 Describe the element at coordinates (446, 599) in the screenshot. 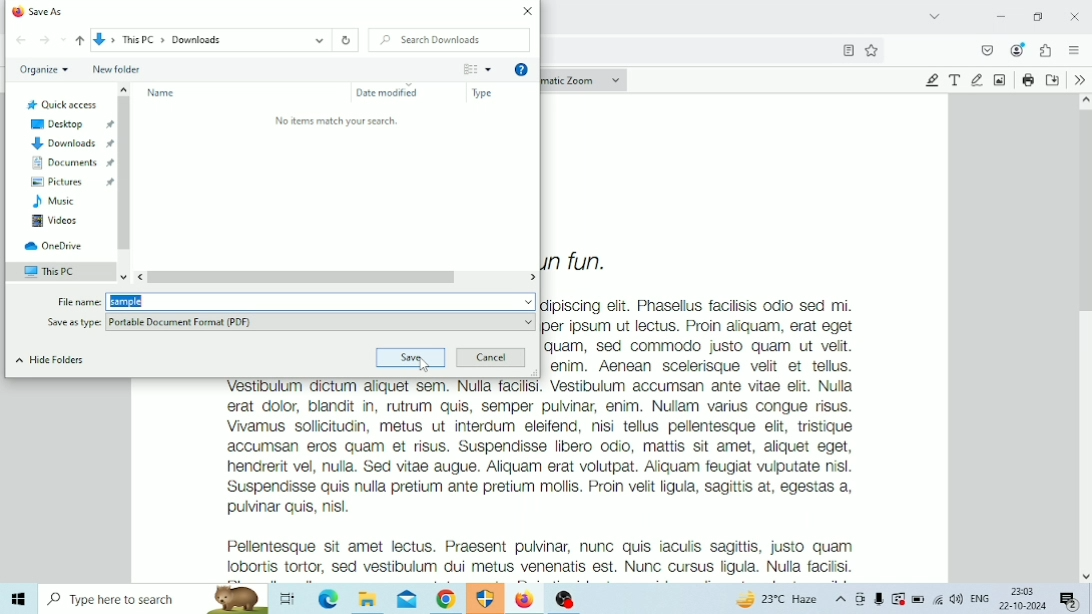

I see `Google Chrome` at that location.